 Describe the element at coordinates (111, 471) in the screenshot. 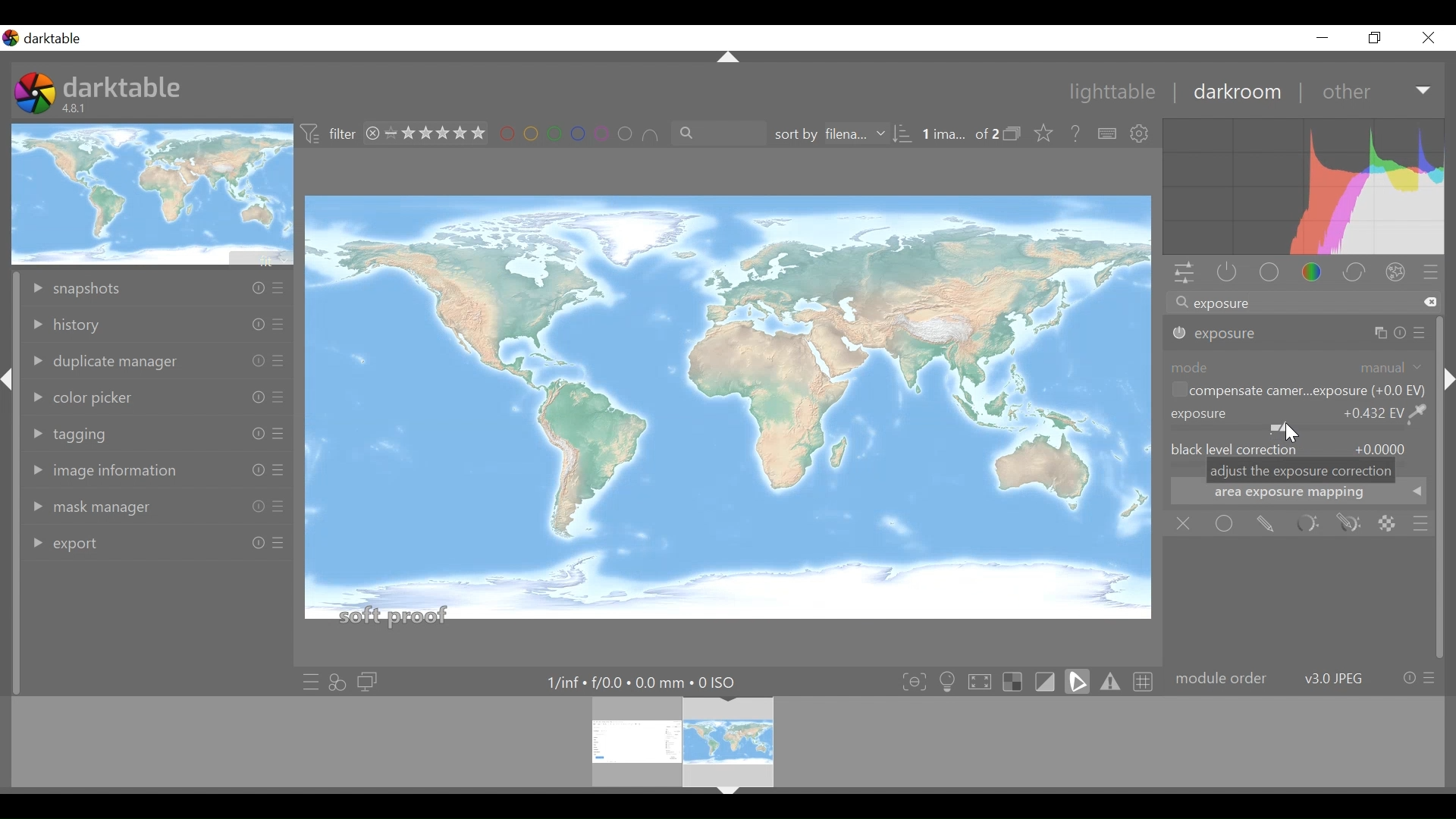

I see `image information` at that location.